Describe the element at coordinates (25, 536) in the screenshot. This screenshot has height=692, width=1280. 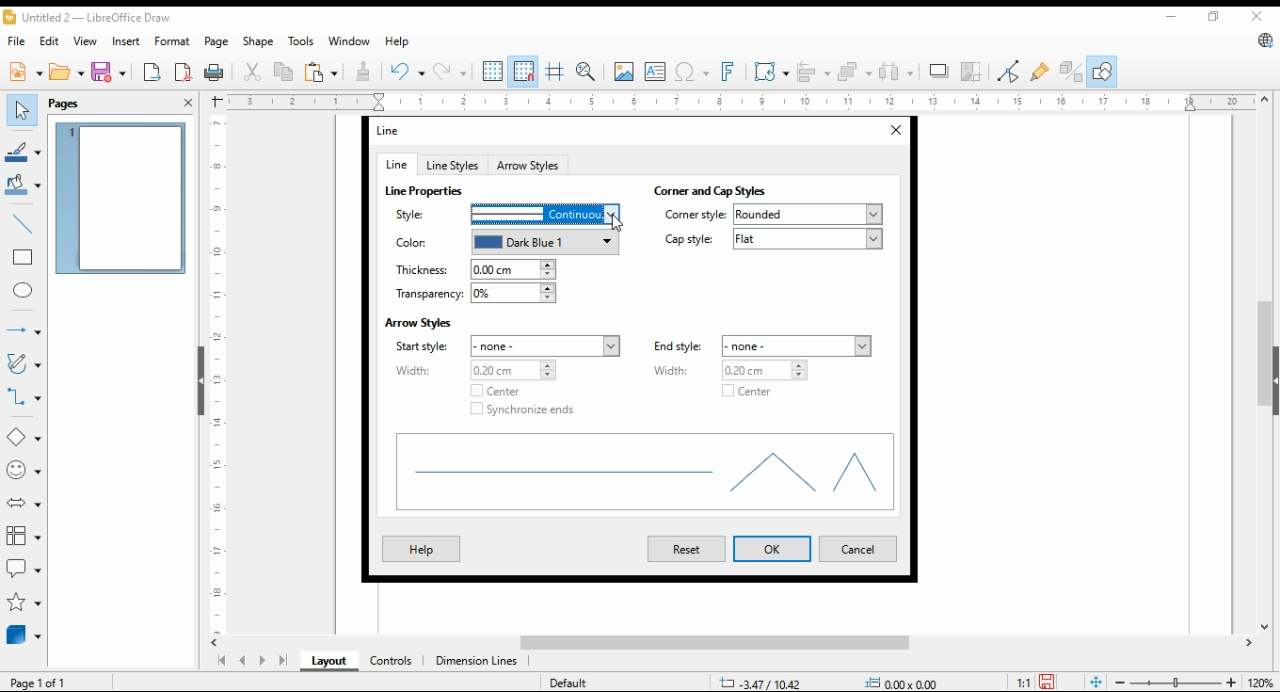
I see `flowchart` at that location.